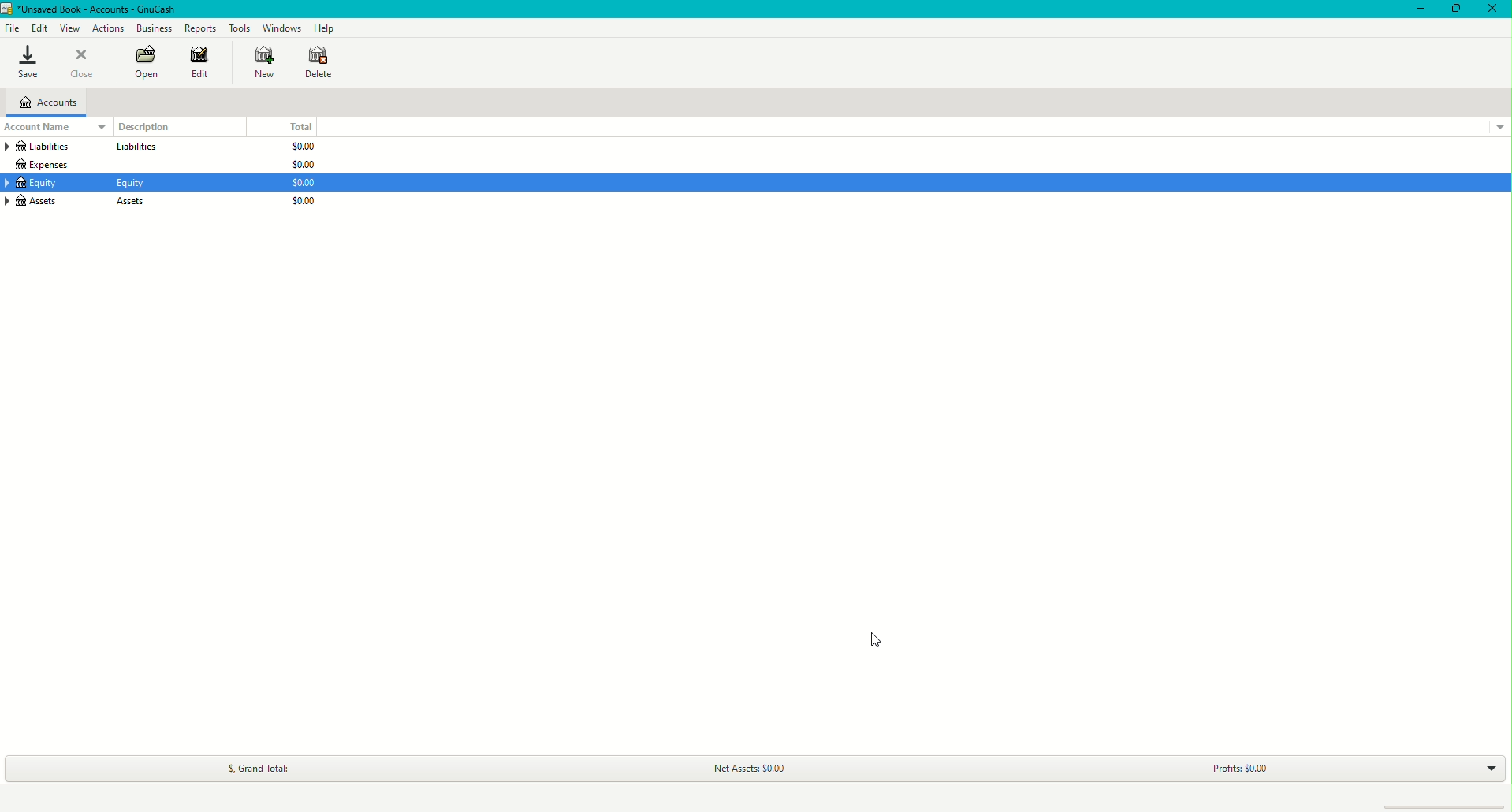 This screenshot has width=1512, height=812. What do you see at coordinates (199, 28) in the screenshot?
I see `Reports` at bounding box center [199, 28].